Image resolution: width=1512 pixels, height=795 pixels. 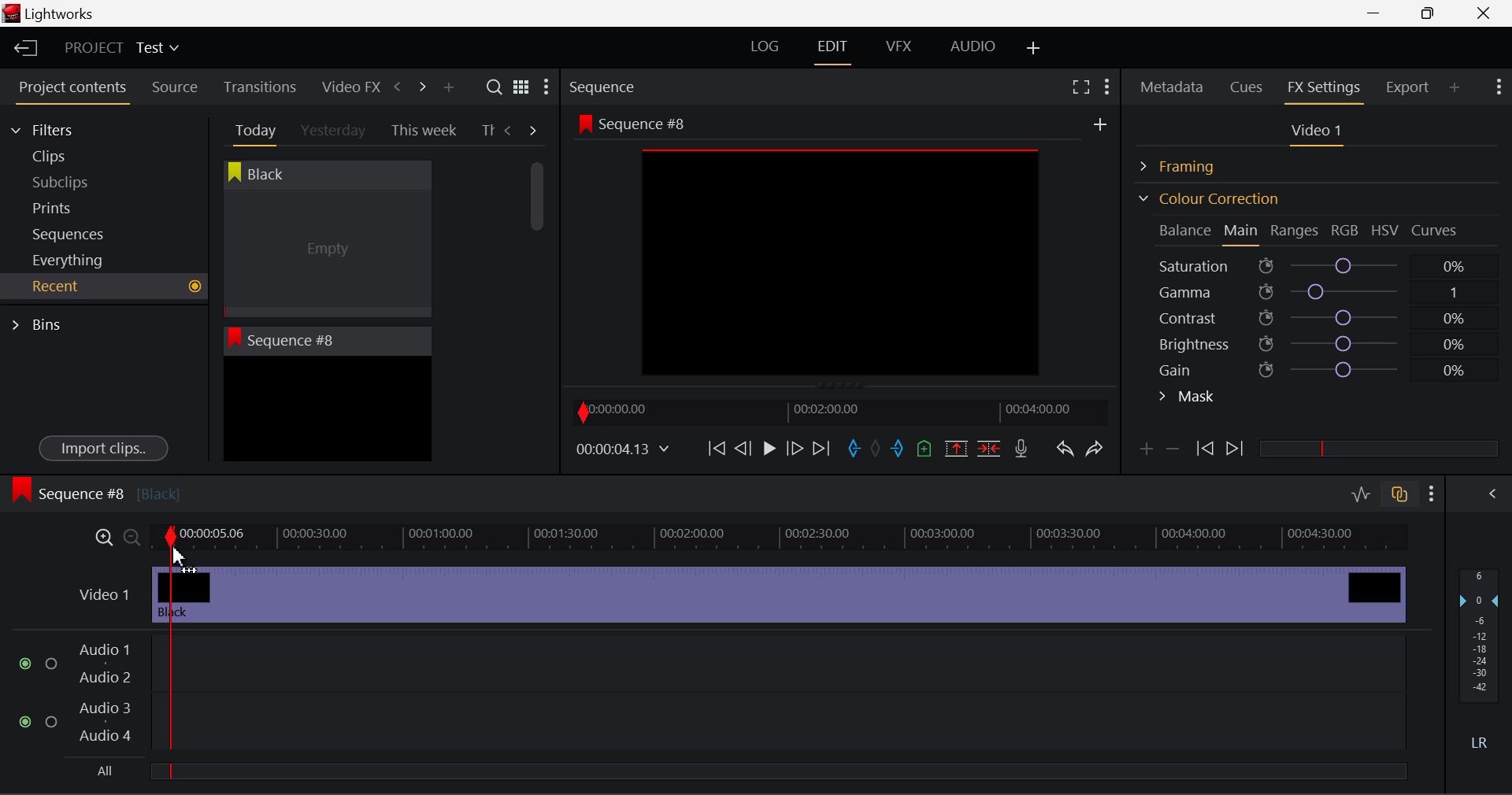 What do you see at coordinates (1379, 13) in the screenshot?
I see `Restore Down` at bounding box center [1379, 13].